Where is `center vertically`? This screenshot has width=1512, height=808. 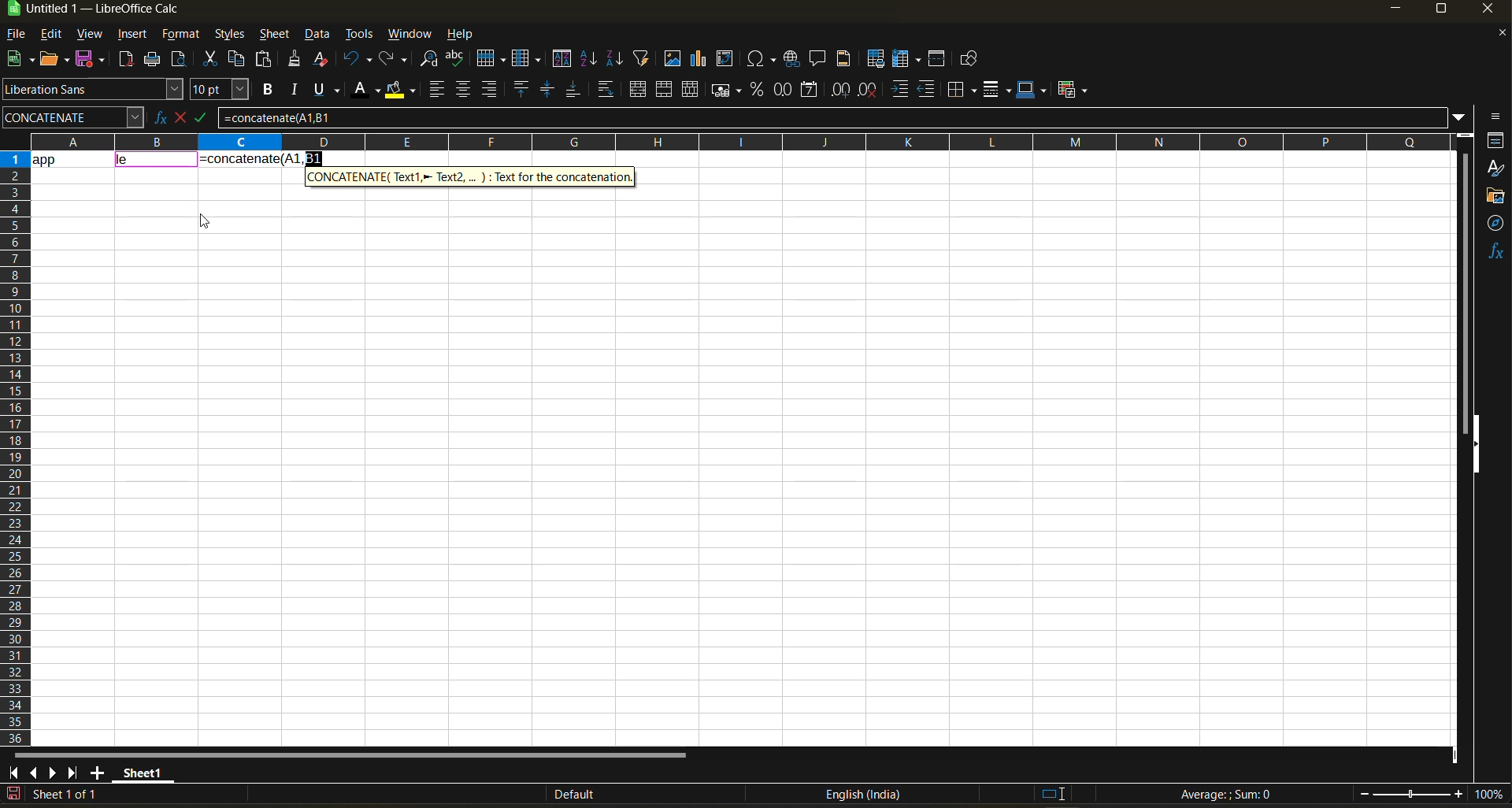 center vertically is located at coordinates (547, 90).